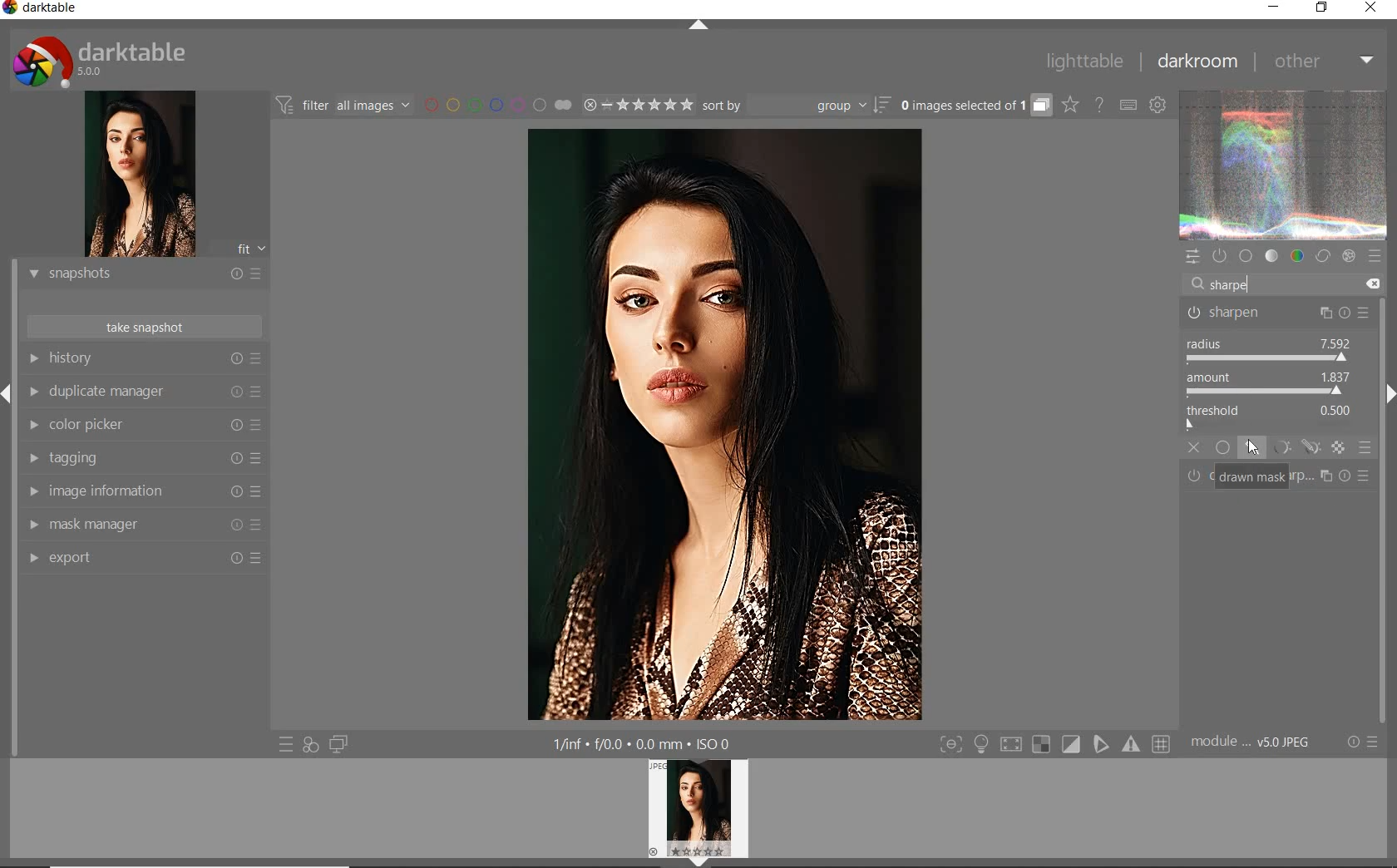 The height and width of the screenshot is (868, 1397). What do you see at coordinates (142, 427) in the screenshot?
I see `COLOR PICKER` at bounding box center [142, 427].